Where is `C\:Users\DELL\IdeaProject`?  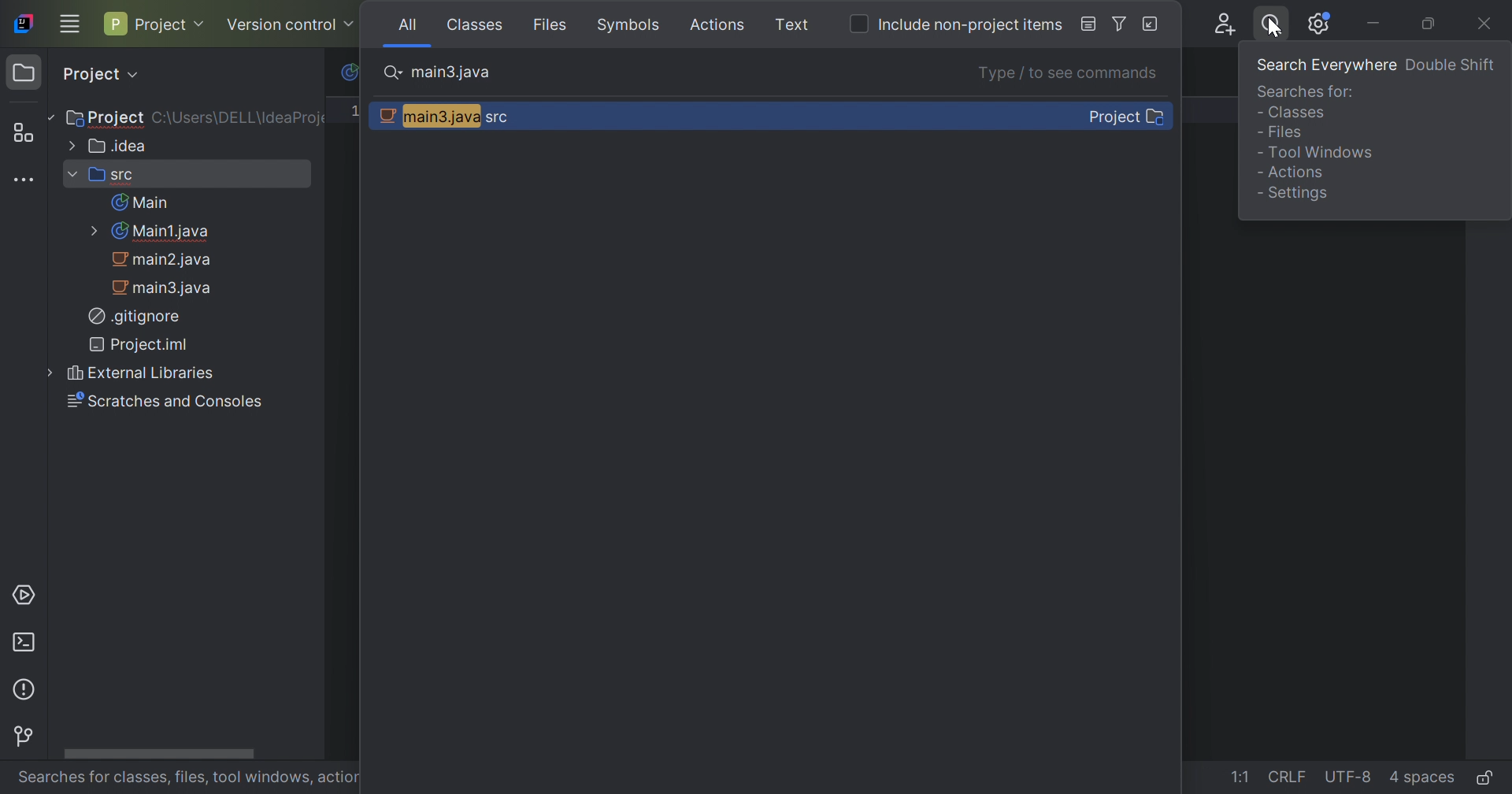
C\:Users\DELL\IdeaProject is located at coordinates (240, 117).